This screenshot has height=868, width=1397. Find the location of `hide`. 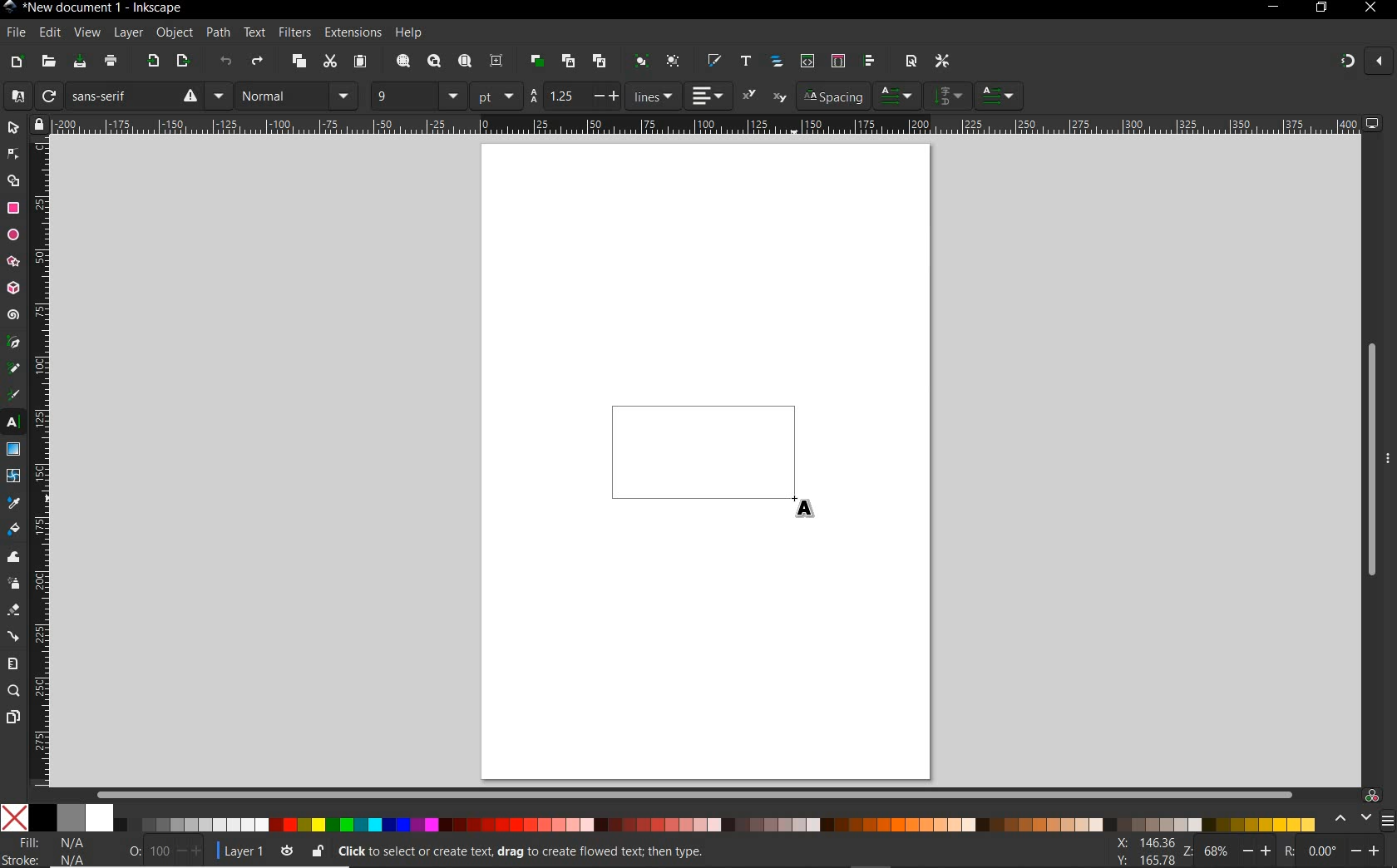

hide is located at coordinates (1389, 456).